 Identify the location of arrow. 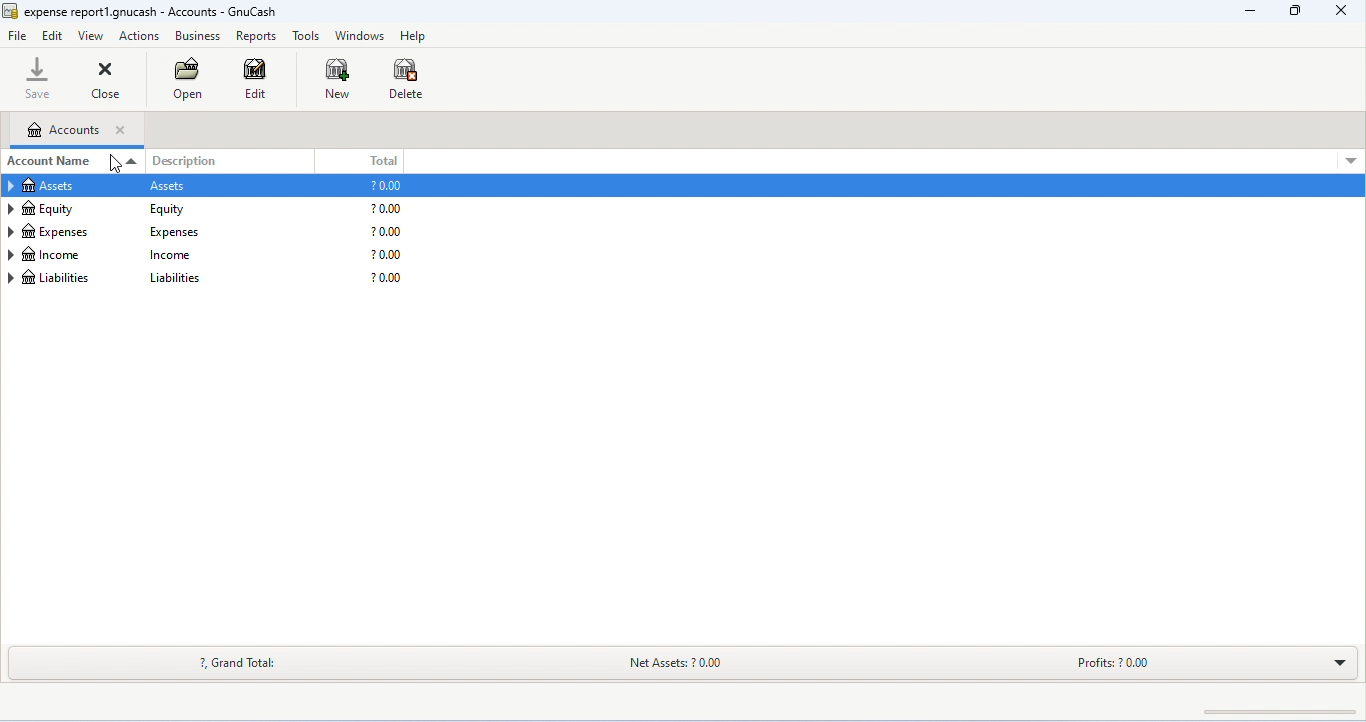
(9, 275).